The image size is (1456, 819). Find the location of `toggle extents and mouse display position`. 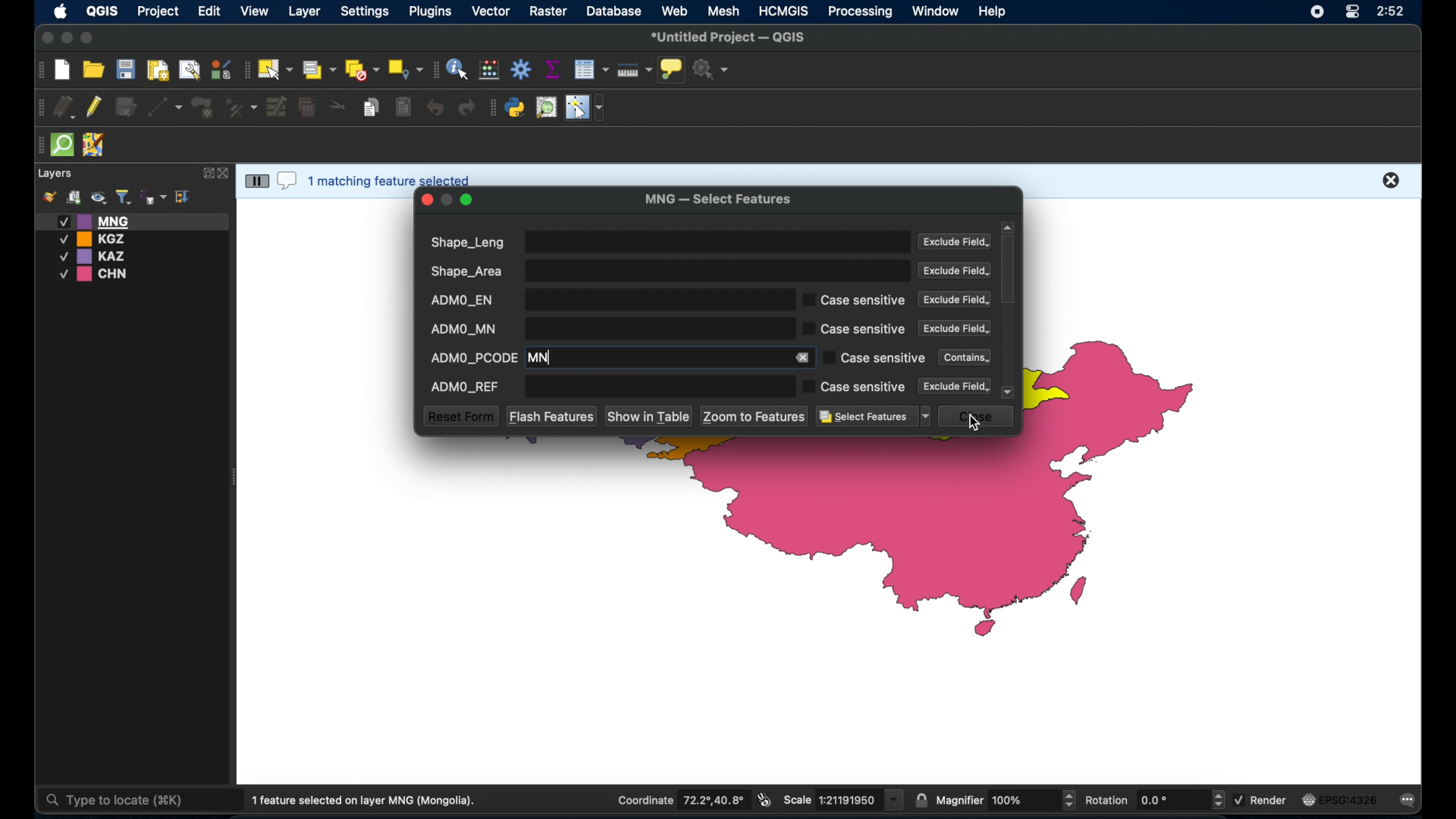

toggle extents and mouse display position is located at coordinates (766, 800).